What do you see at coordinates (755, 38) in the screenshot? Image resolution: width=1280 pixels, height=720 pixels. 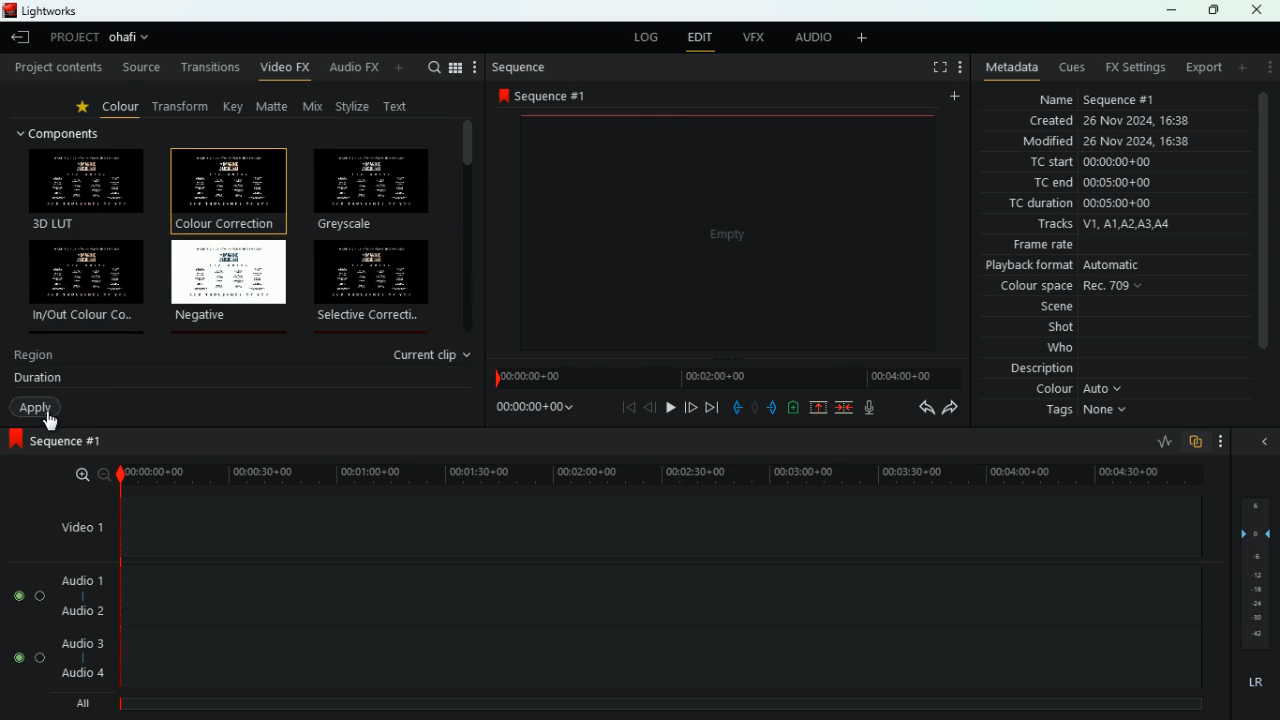 I see `vfx` at bounding box center [755, 38].